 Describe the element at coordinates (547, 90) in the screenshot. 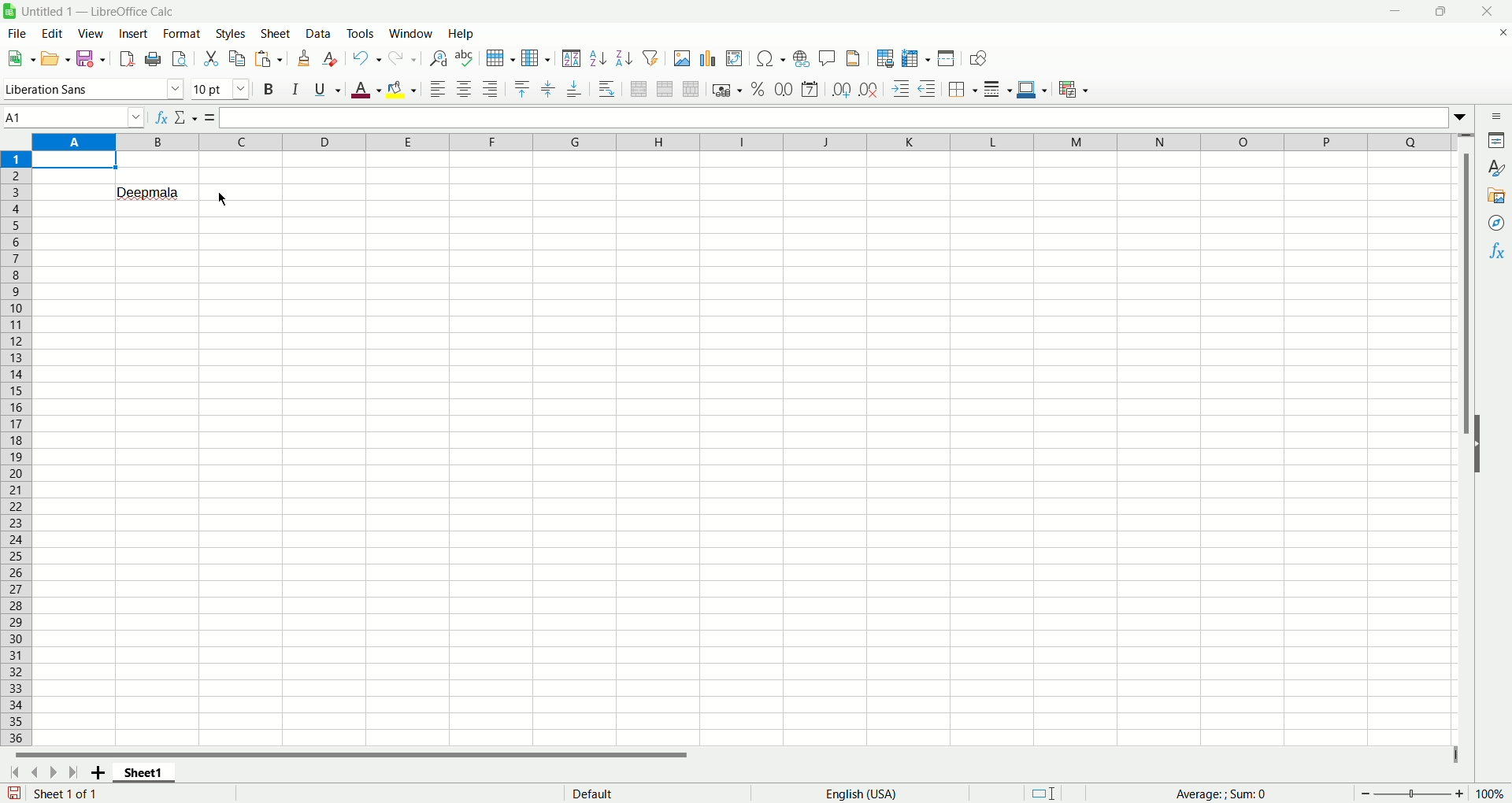

I see `center vertically` at that location.